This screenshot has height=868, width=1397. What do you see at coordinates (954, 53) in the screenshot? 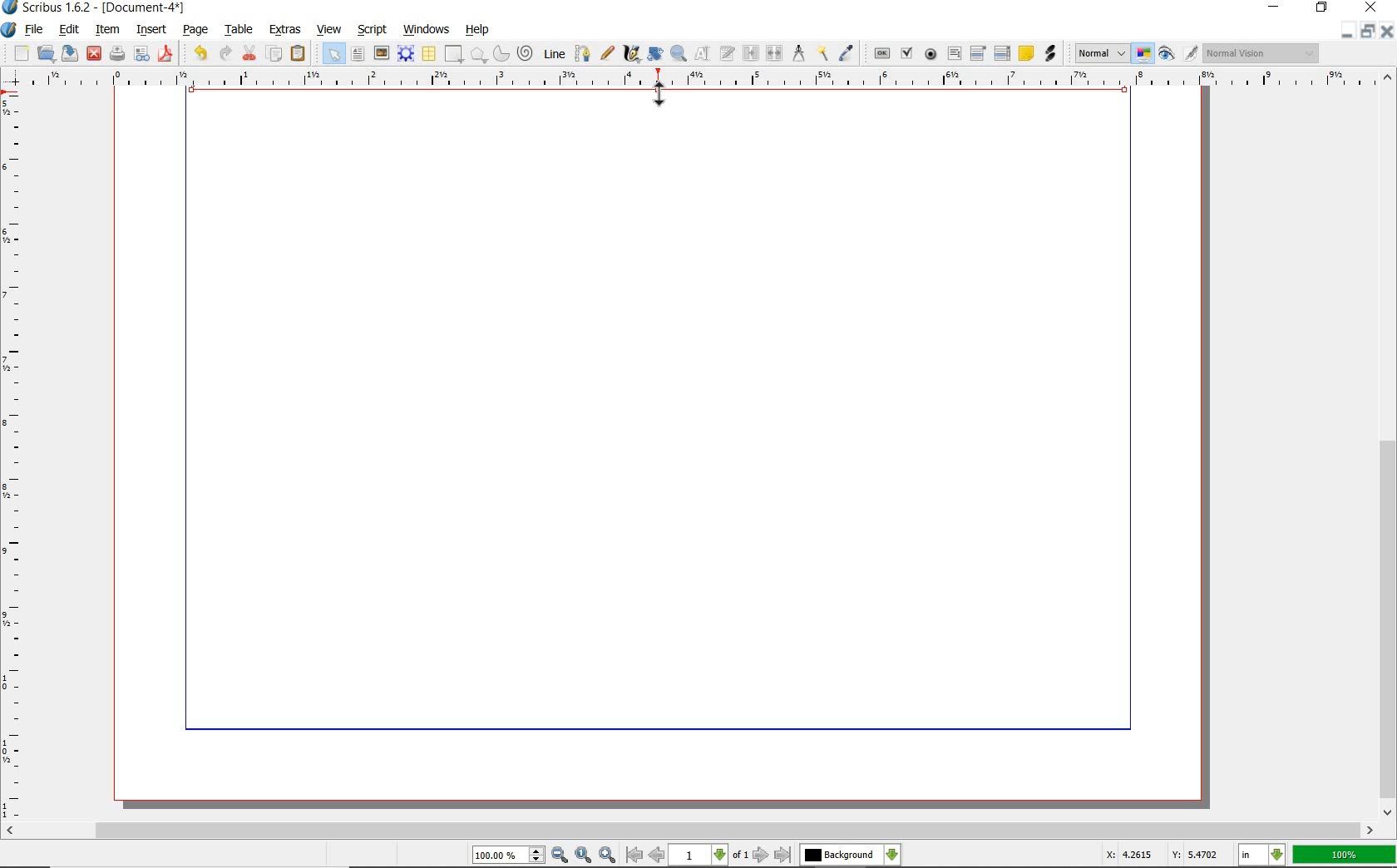
I see `pdf text field` at bounding box center [954, 53].